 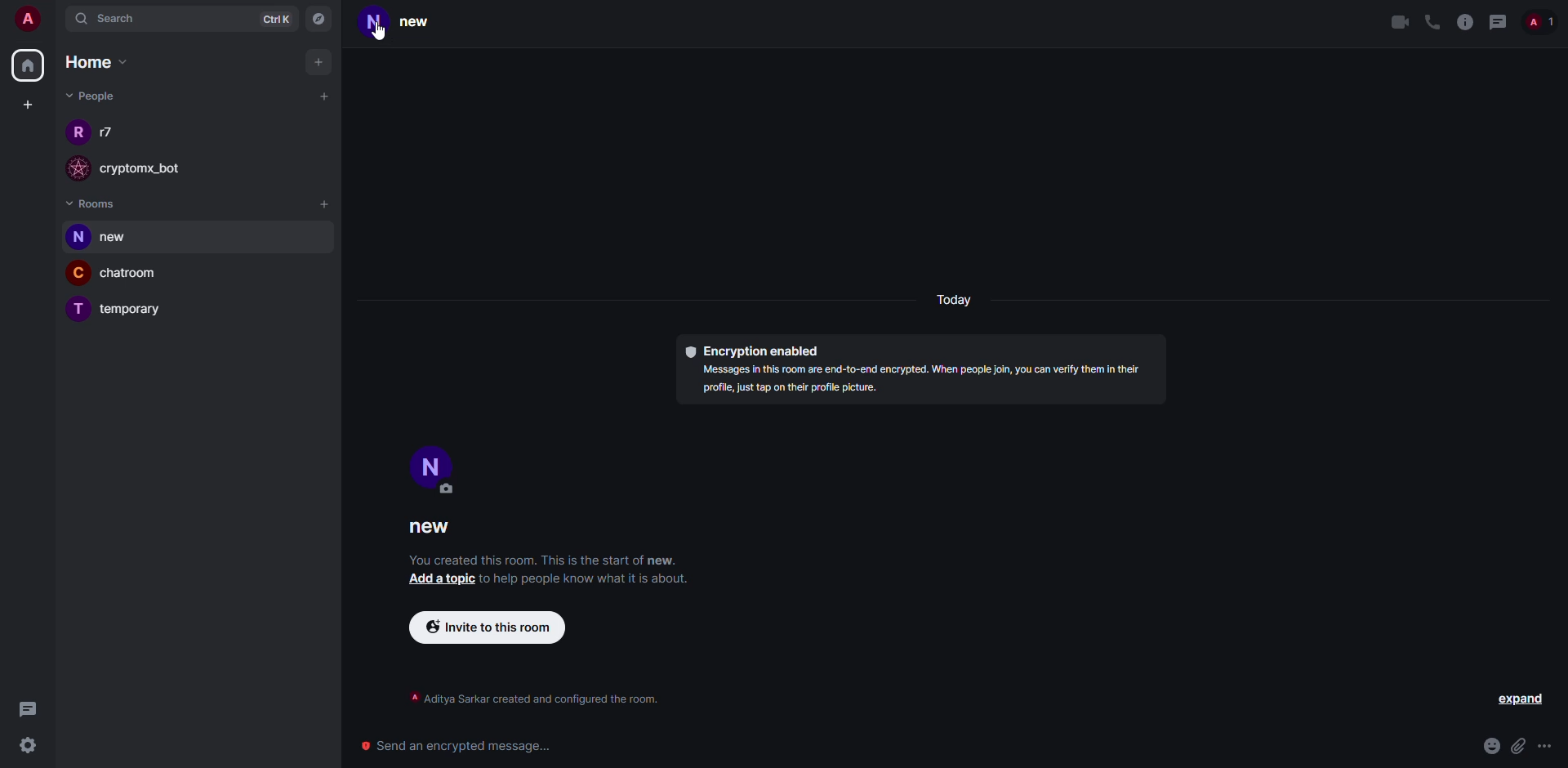 I want to click on settings, so click(x=29, y=745).